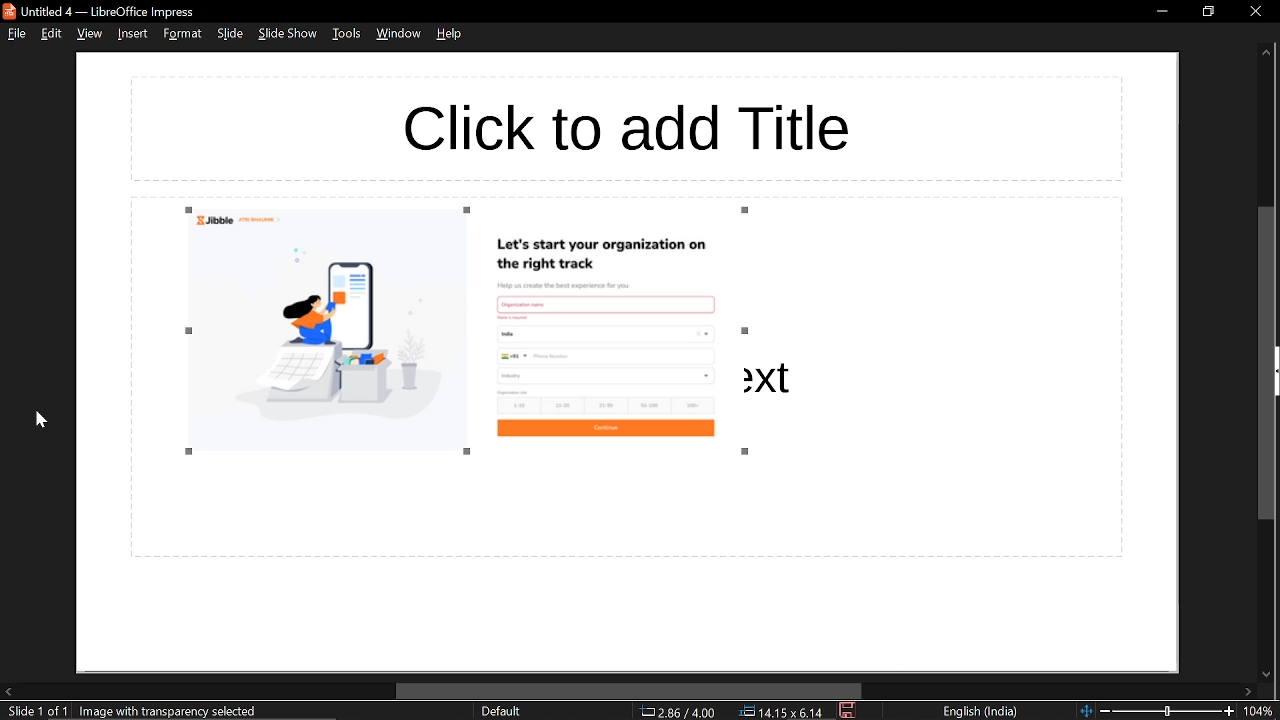 The height and width of the screenshot is (720, 1280). What do you see at coordinates (630, 691) in the screenshot?
I see `horizontal scrollbar` at bounding box center [630, 691].